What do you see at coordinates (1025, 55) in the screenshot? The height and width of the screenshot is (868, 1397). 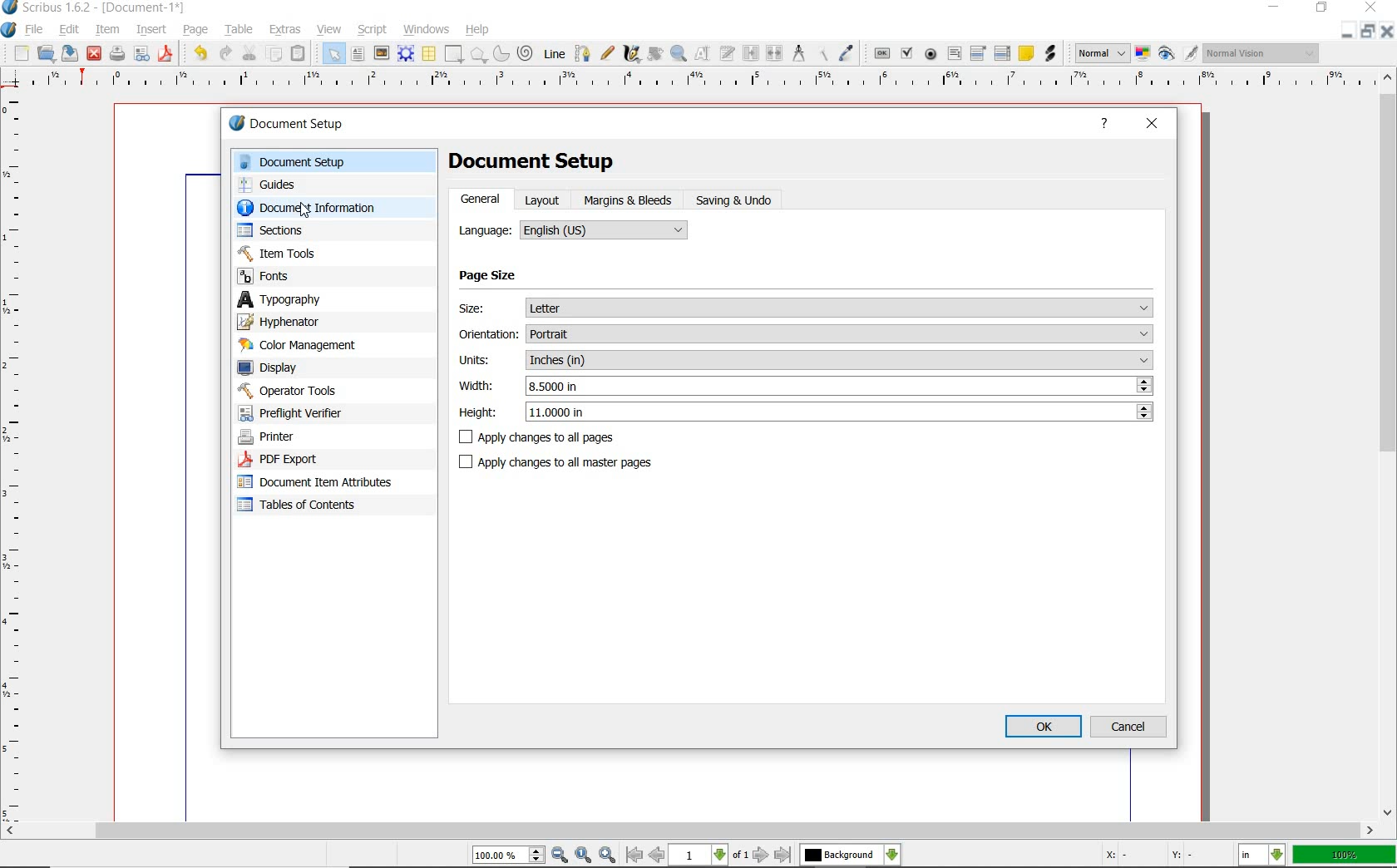 I see `text annotation` at bounding box center [1025, 55].